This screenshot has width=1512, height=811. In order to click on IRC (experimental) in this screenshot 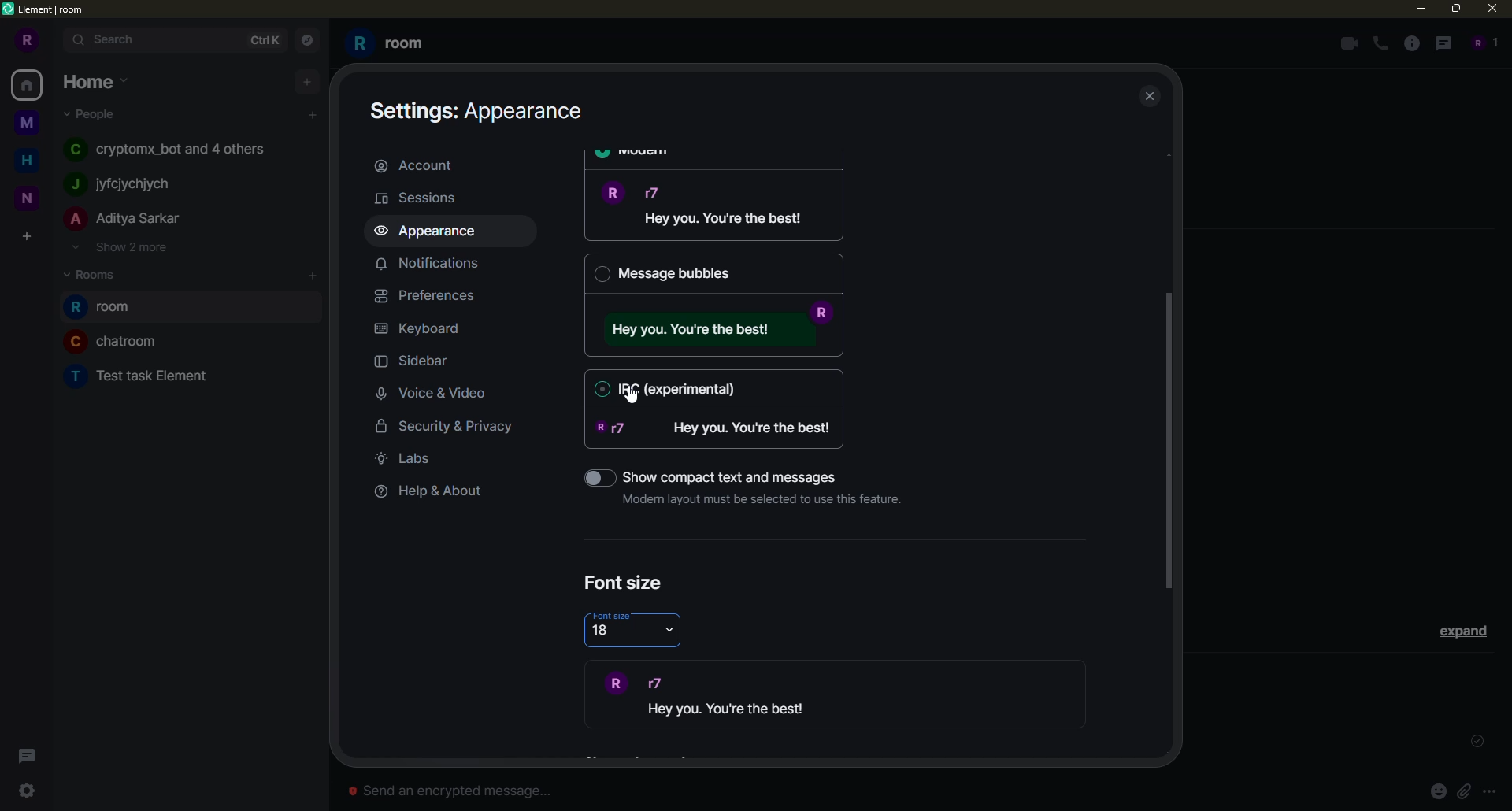, I will do `click(703, 389)`.